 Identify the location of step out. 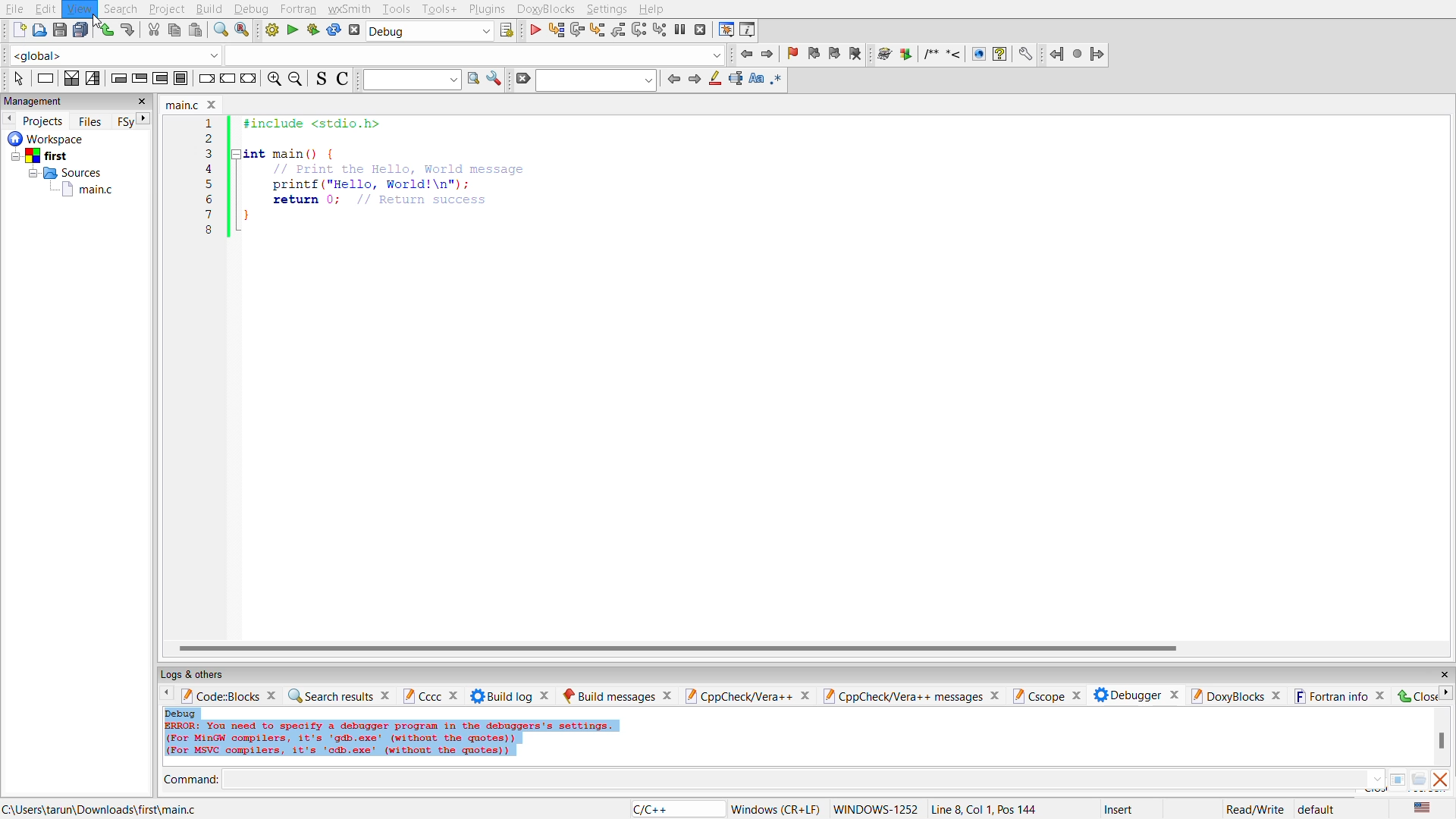
(617, 30).